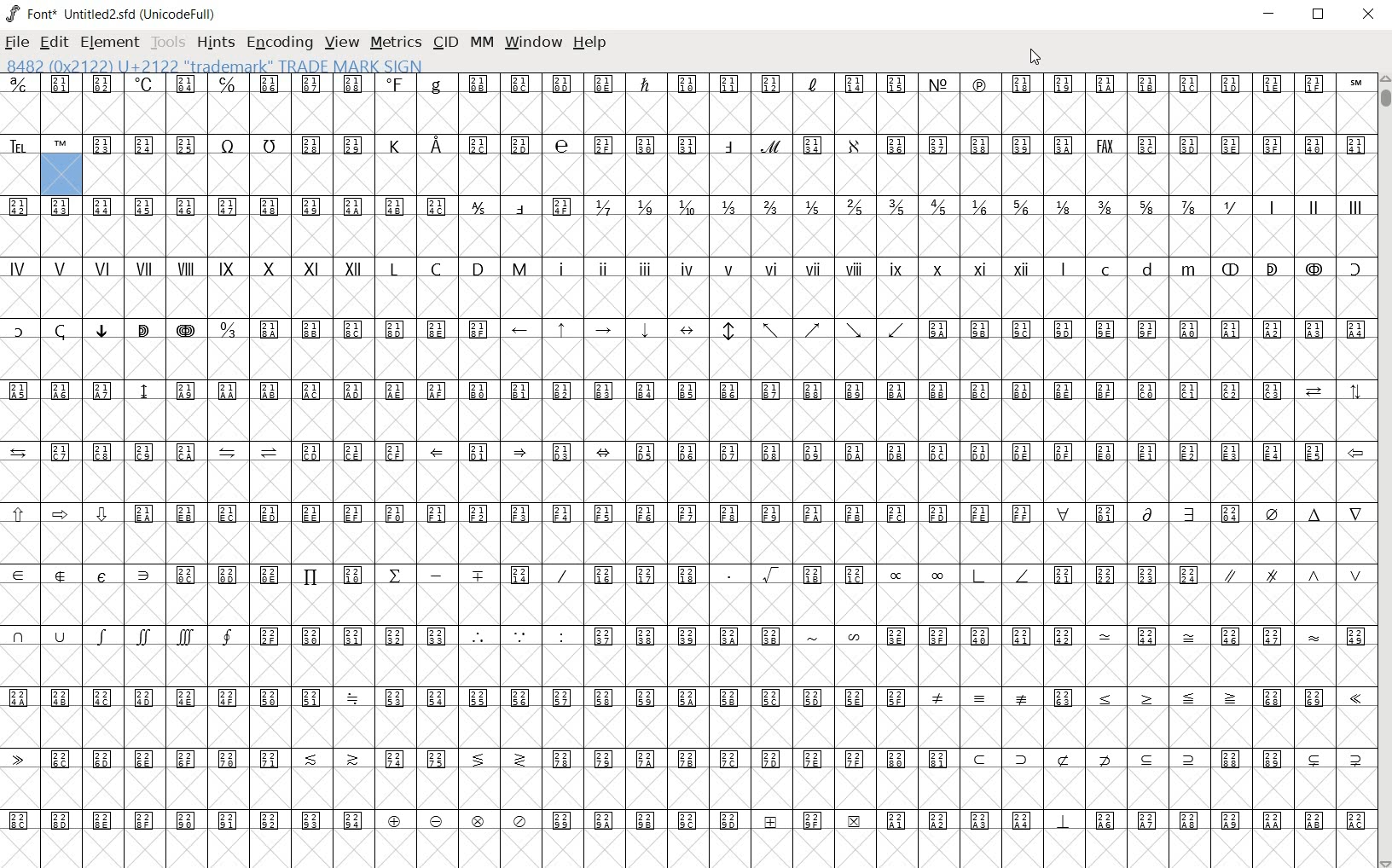 This screenshot has width=1392, height=868. What do you see at coordinates (519, 288) in the screenshot?
I see `roman characters` at bounding box center [519, 288].